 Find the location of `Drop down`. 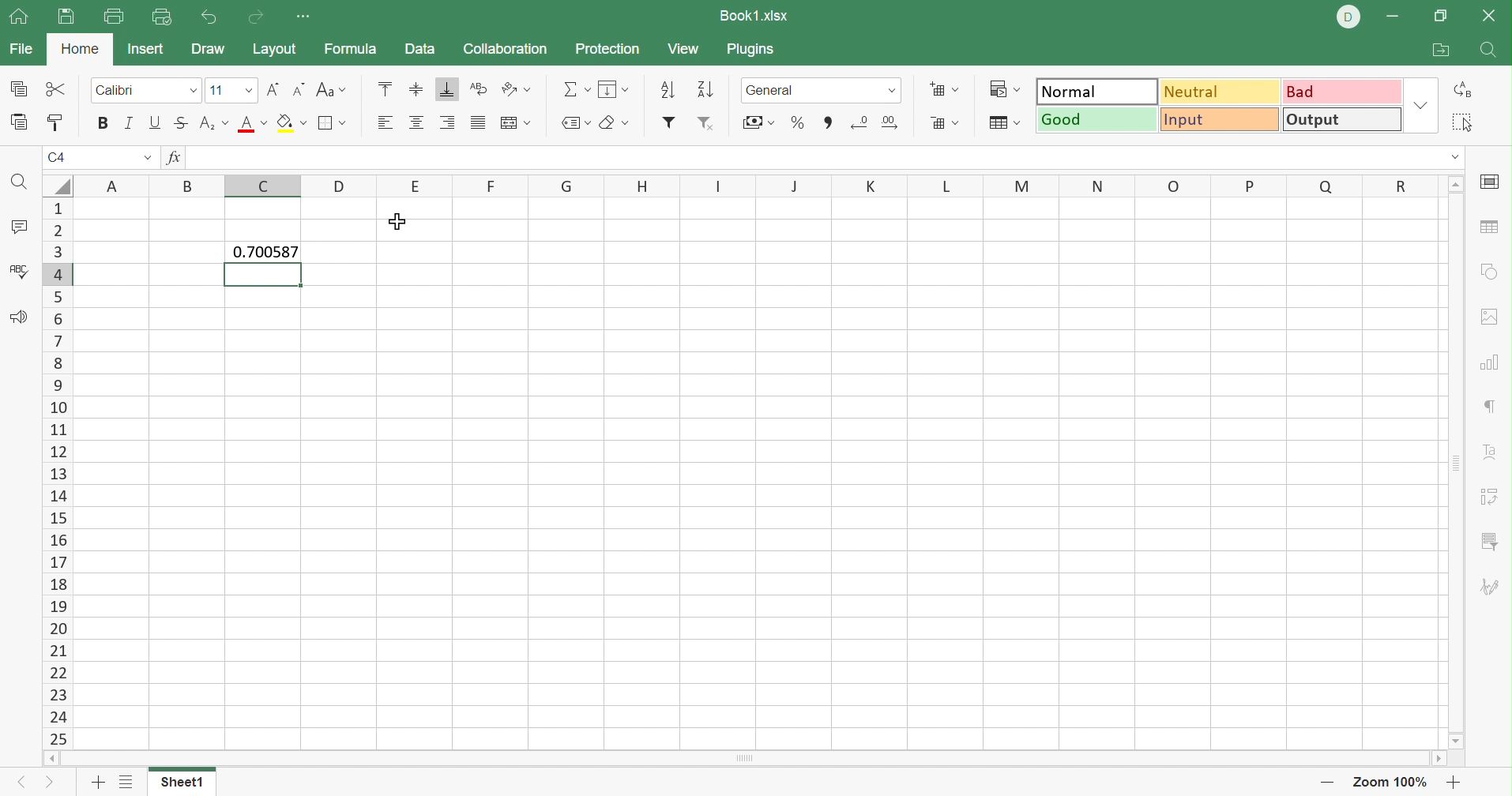

Drop down is located at coordinates (1455, 156).